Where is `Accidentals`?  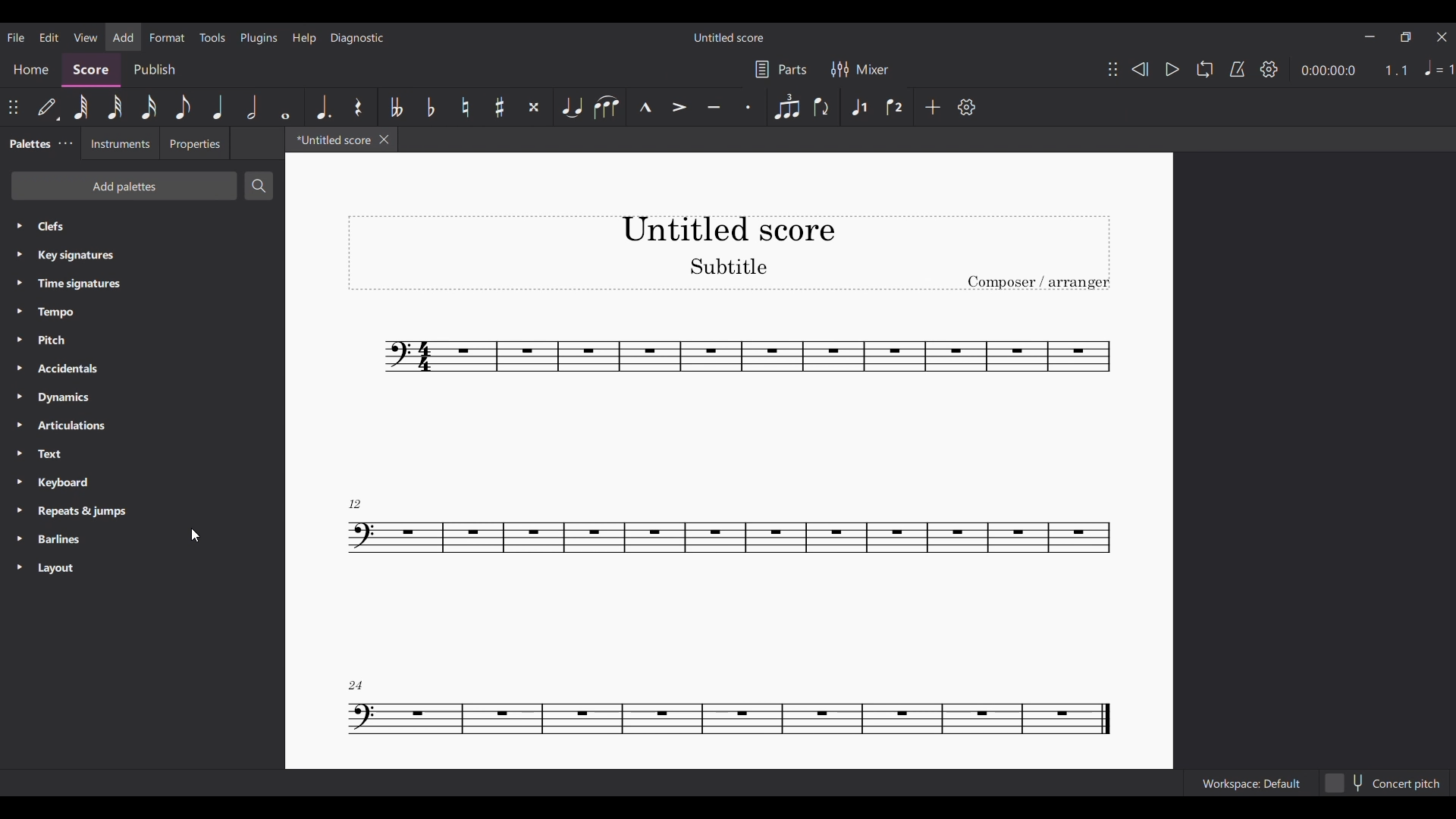 Accidentals is located at coordinates (62, 370).